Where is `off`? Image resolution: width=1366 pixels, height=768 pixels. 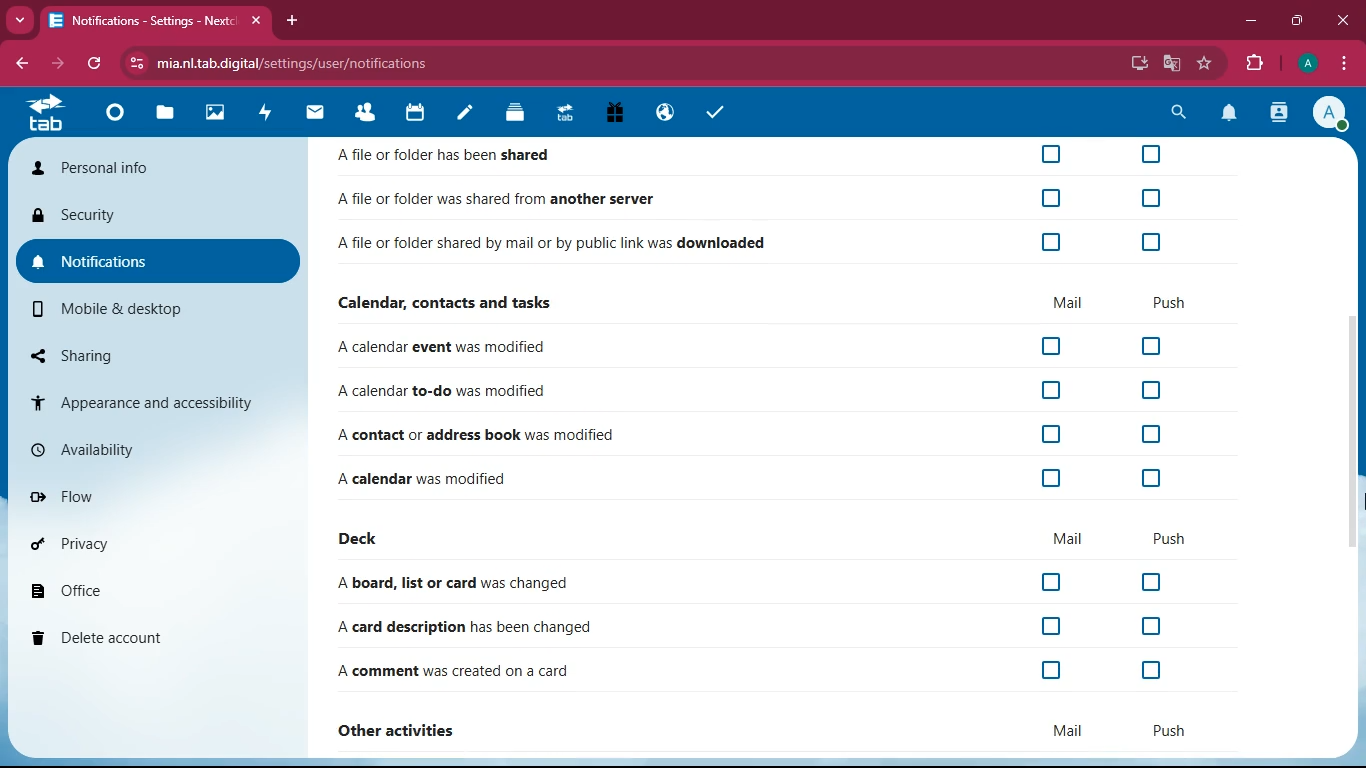 off is located at coordinates (1150, 477).